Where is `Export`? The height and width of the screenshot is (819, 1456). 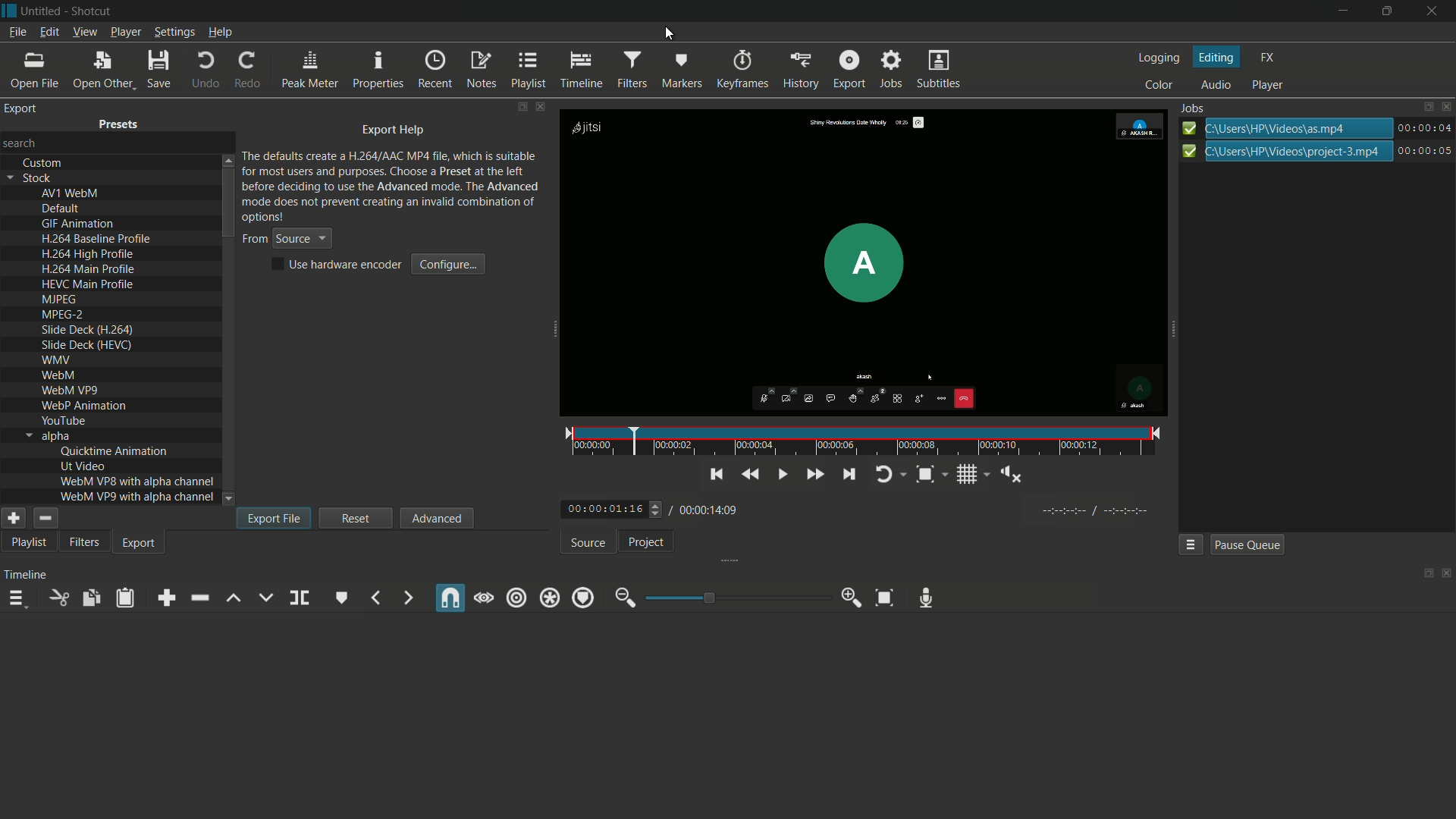 Export is located at coordinates (141, 543).